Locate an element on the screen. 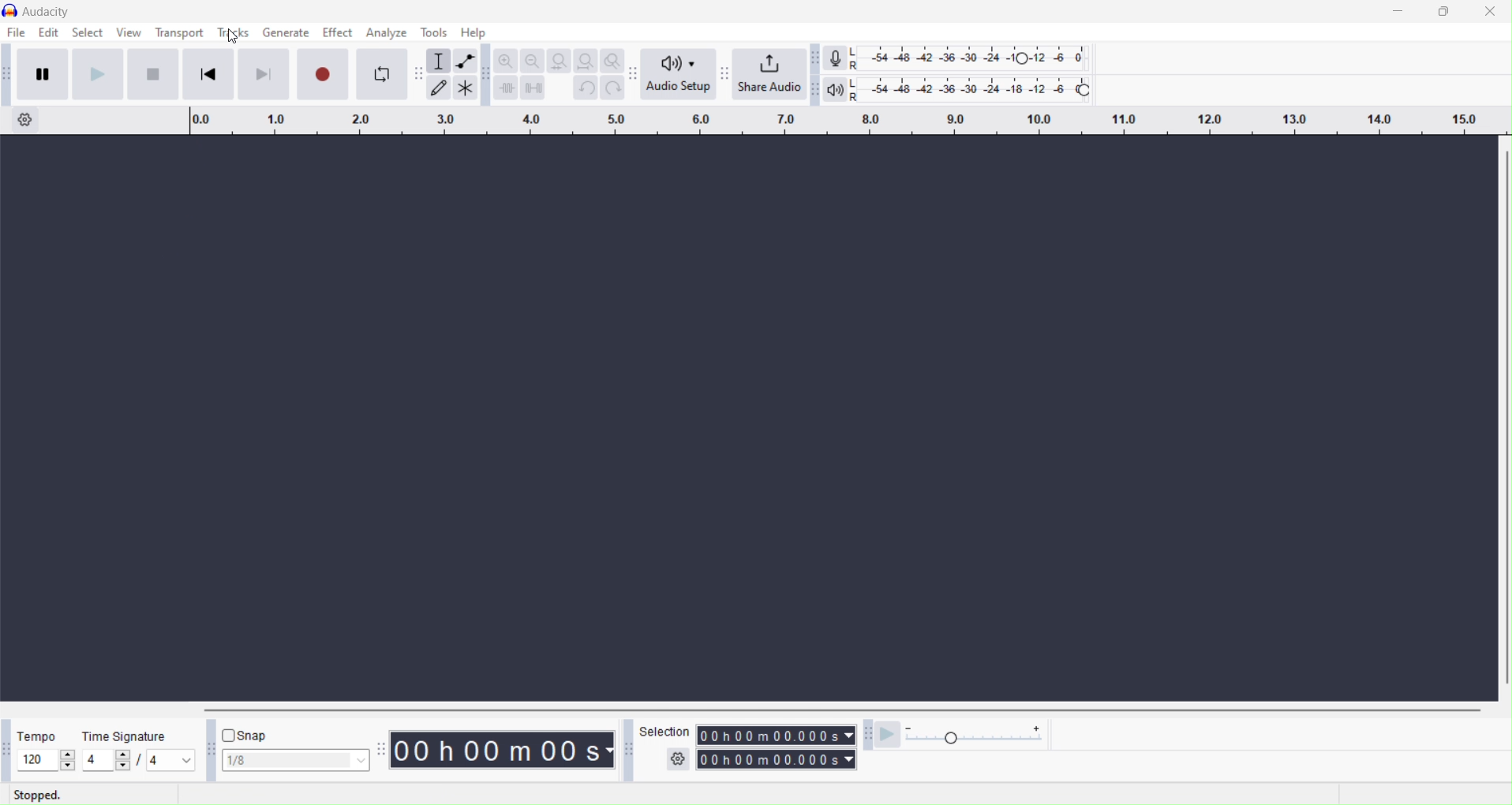 The height and width of the screenshot is (805, 1512). Draw tool is located at coordinates (437, 87).